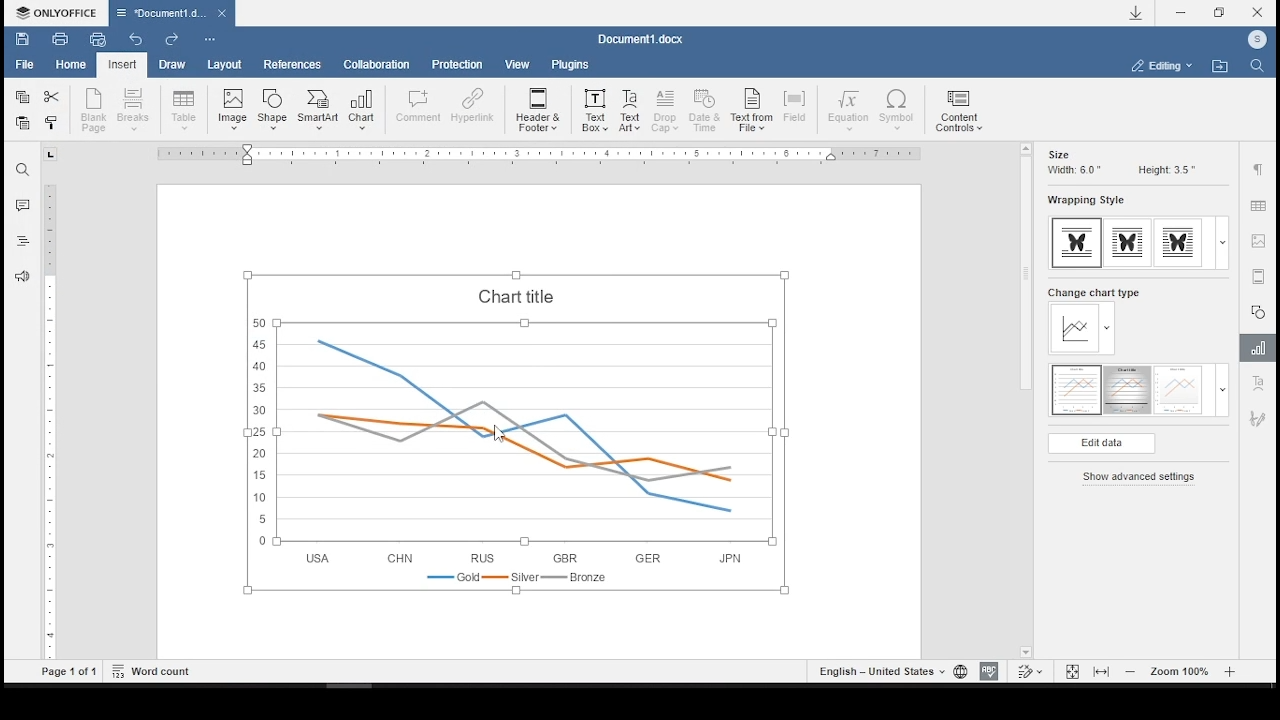  I want to click on ONLYOFFICE, so click(56, 11).